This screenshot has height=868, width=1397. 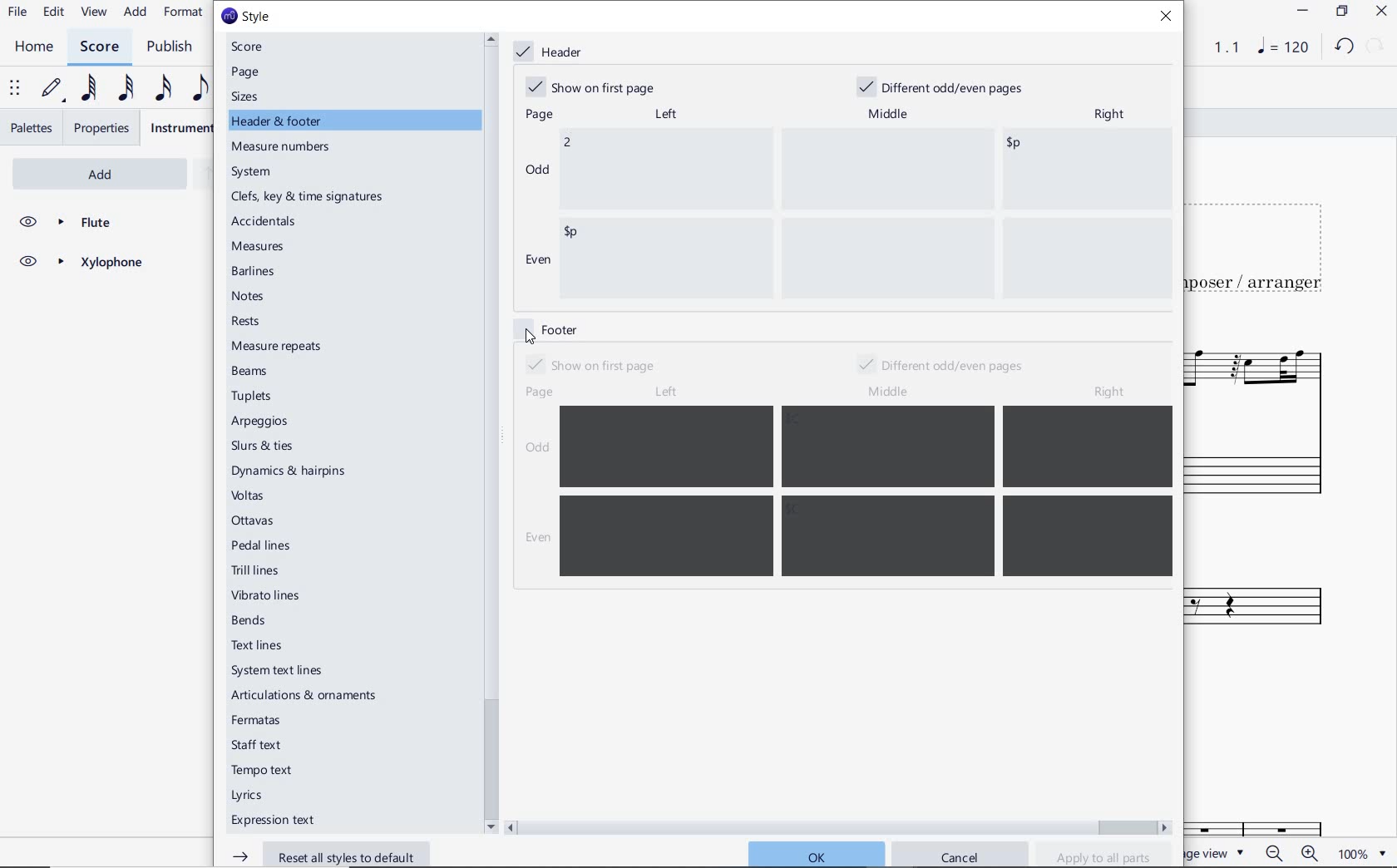 What do you see at coordinates (1104, 856) in the screenshot?
I see `apply to all parts` at bounding box center [1104, 856].